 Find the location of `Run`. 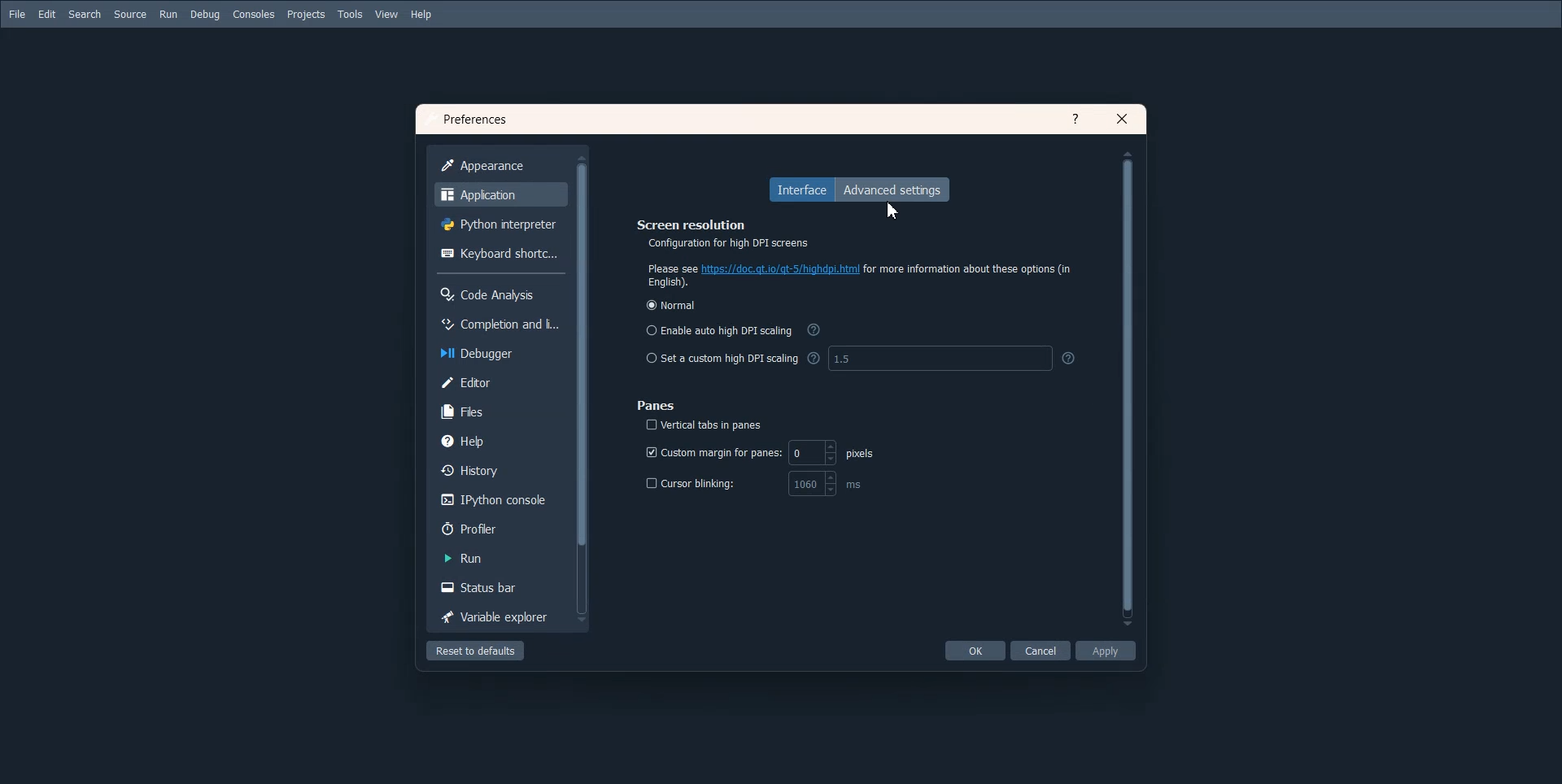

Run is located at coordinates (497, 558).